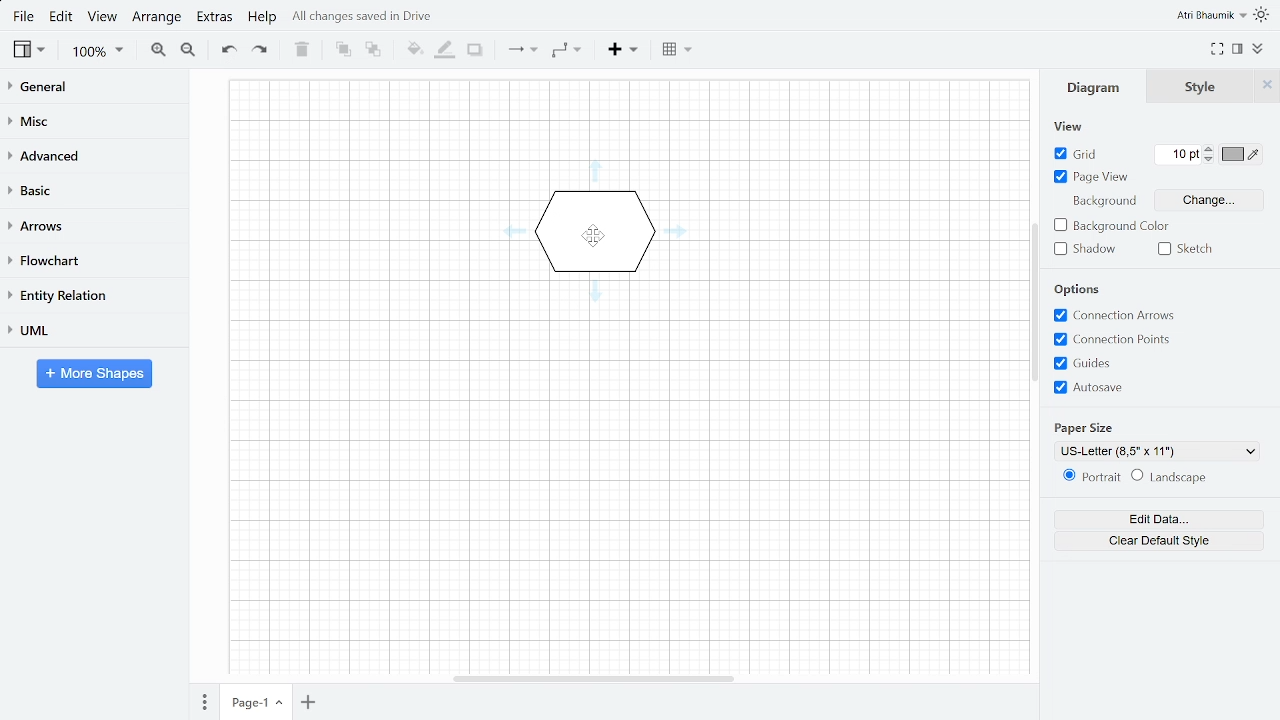 This screenshot has width=1280, height=720. I want to click on Delete, so click(302, 51).